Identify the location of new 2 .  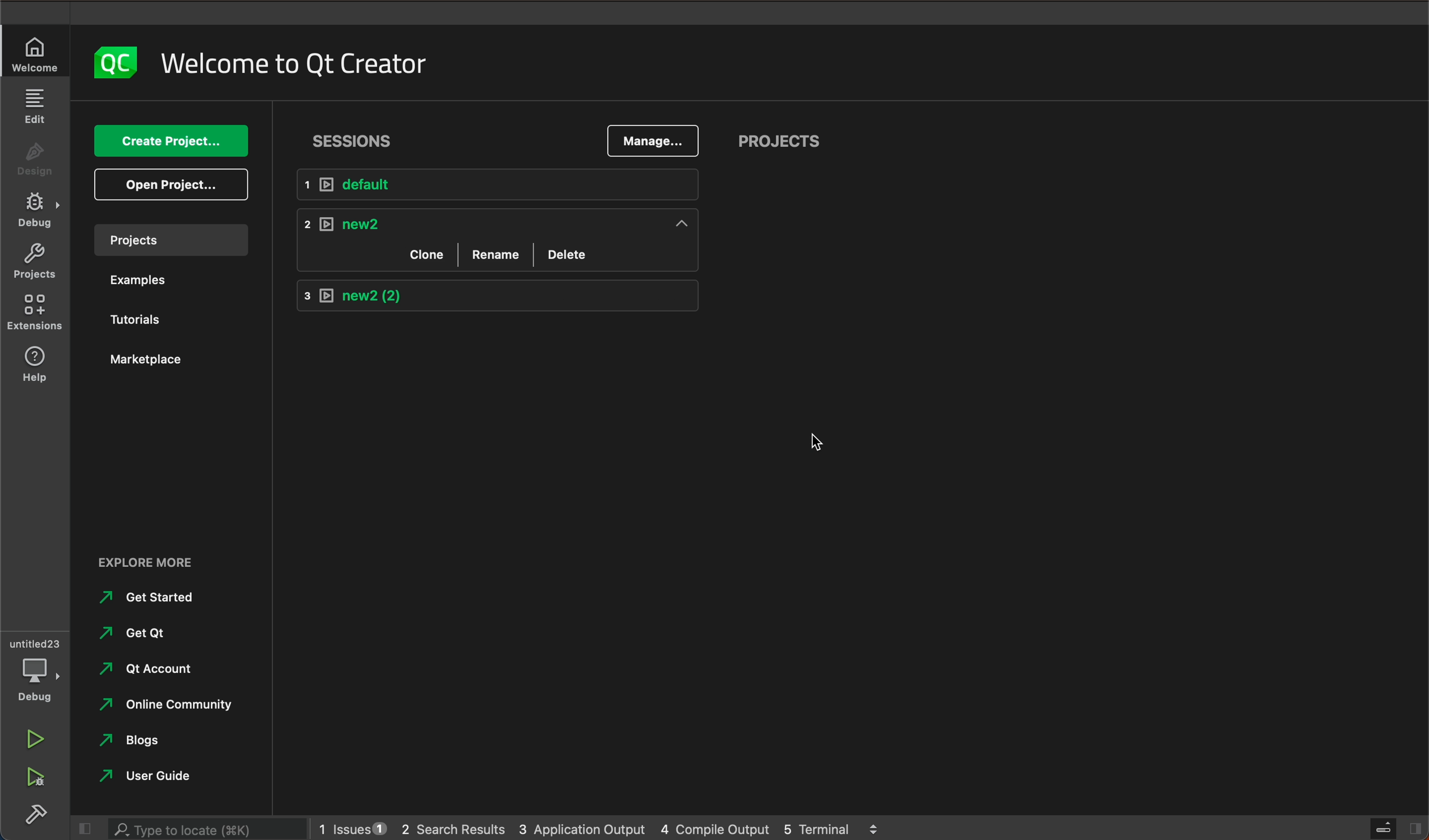
(495, 221).